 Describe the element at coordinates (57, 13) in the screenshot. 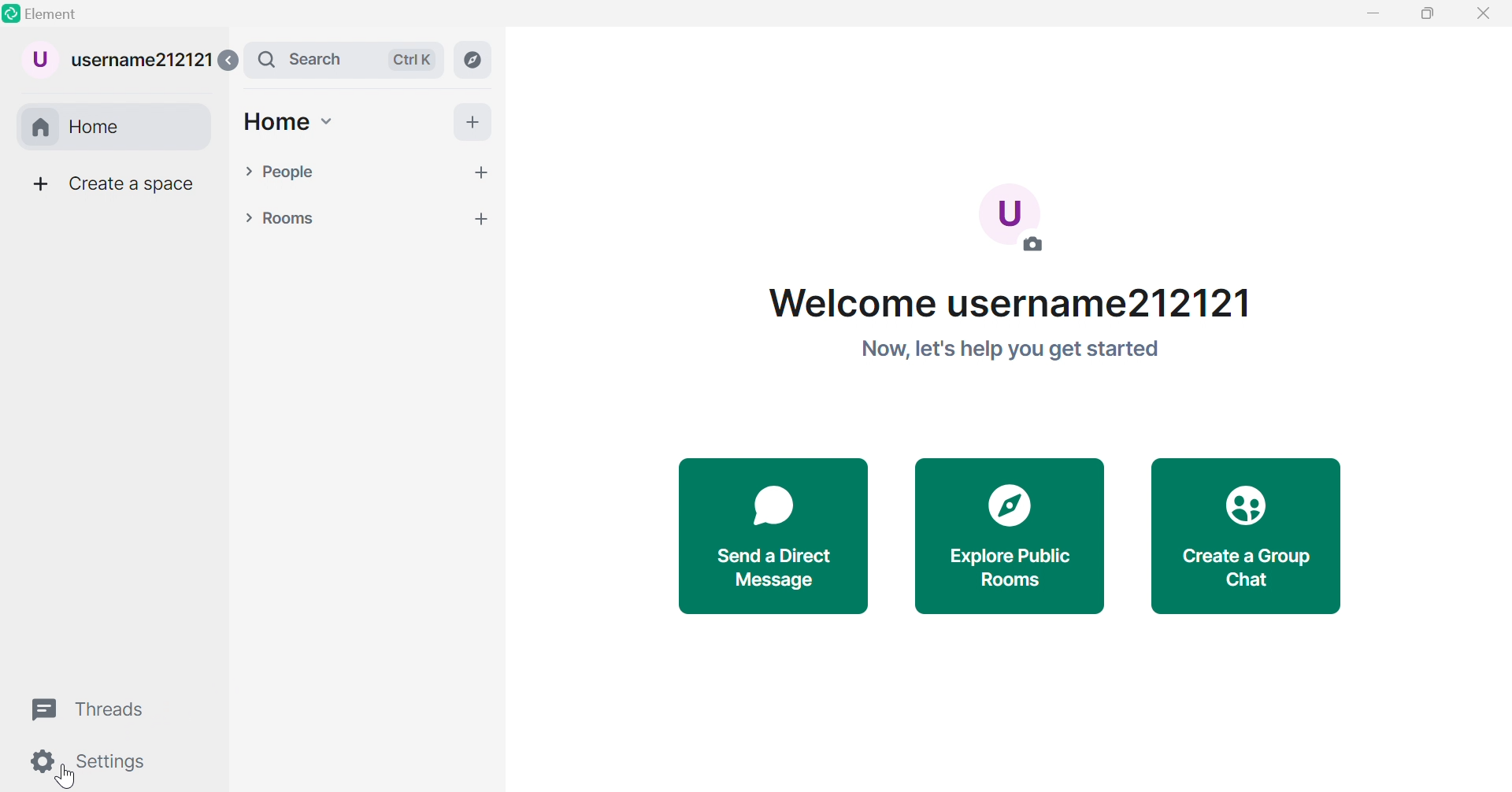

I see `Element` at that location.